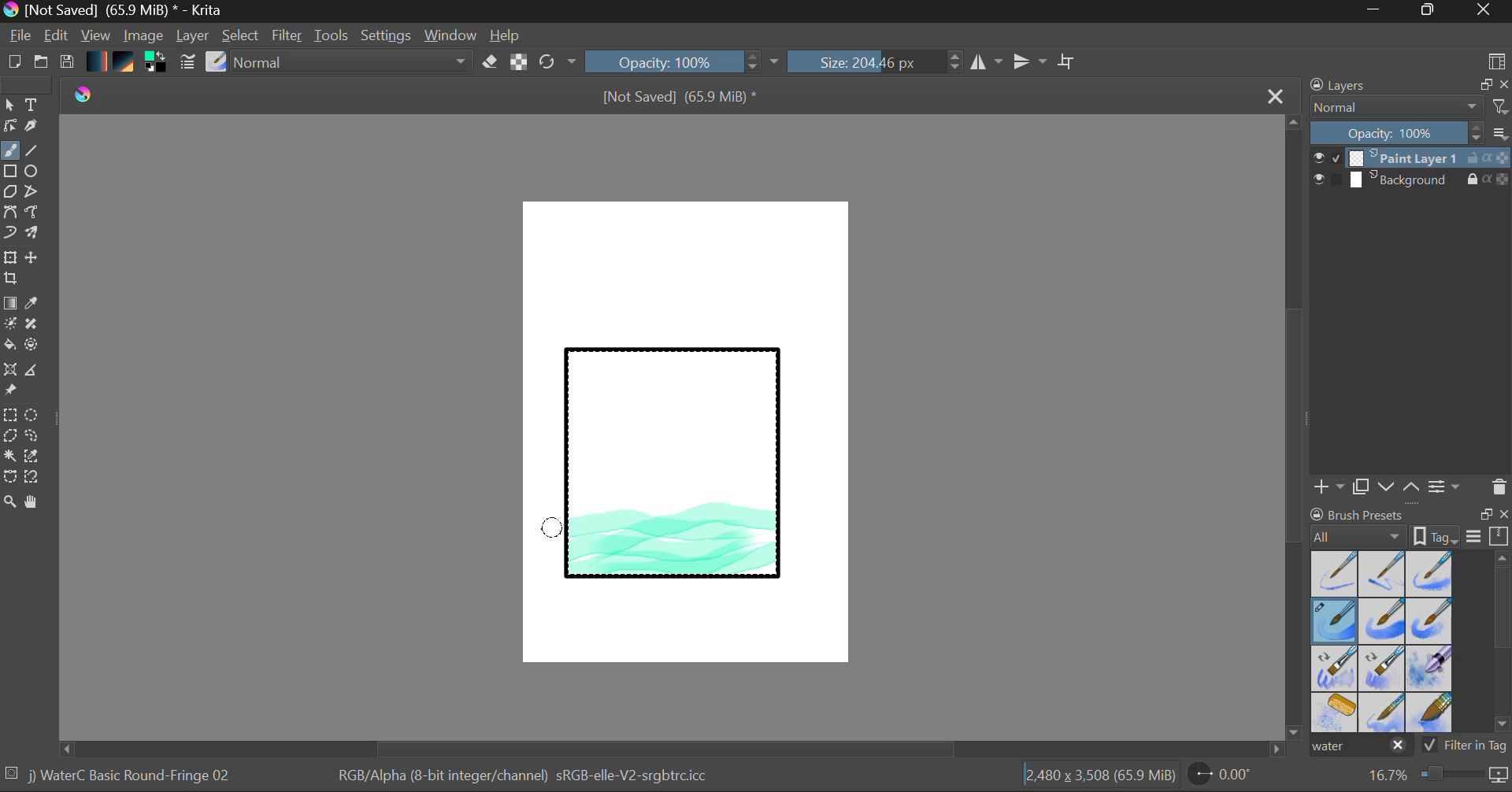  What do you see at coordinates (1362, 487) in the screenshot?
I see `Copy Layer` at bounding box center [1362, 487].